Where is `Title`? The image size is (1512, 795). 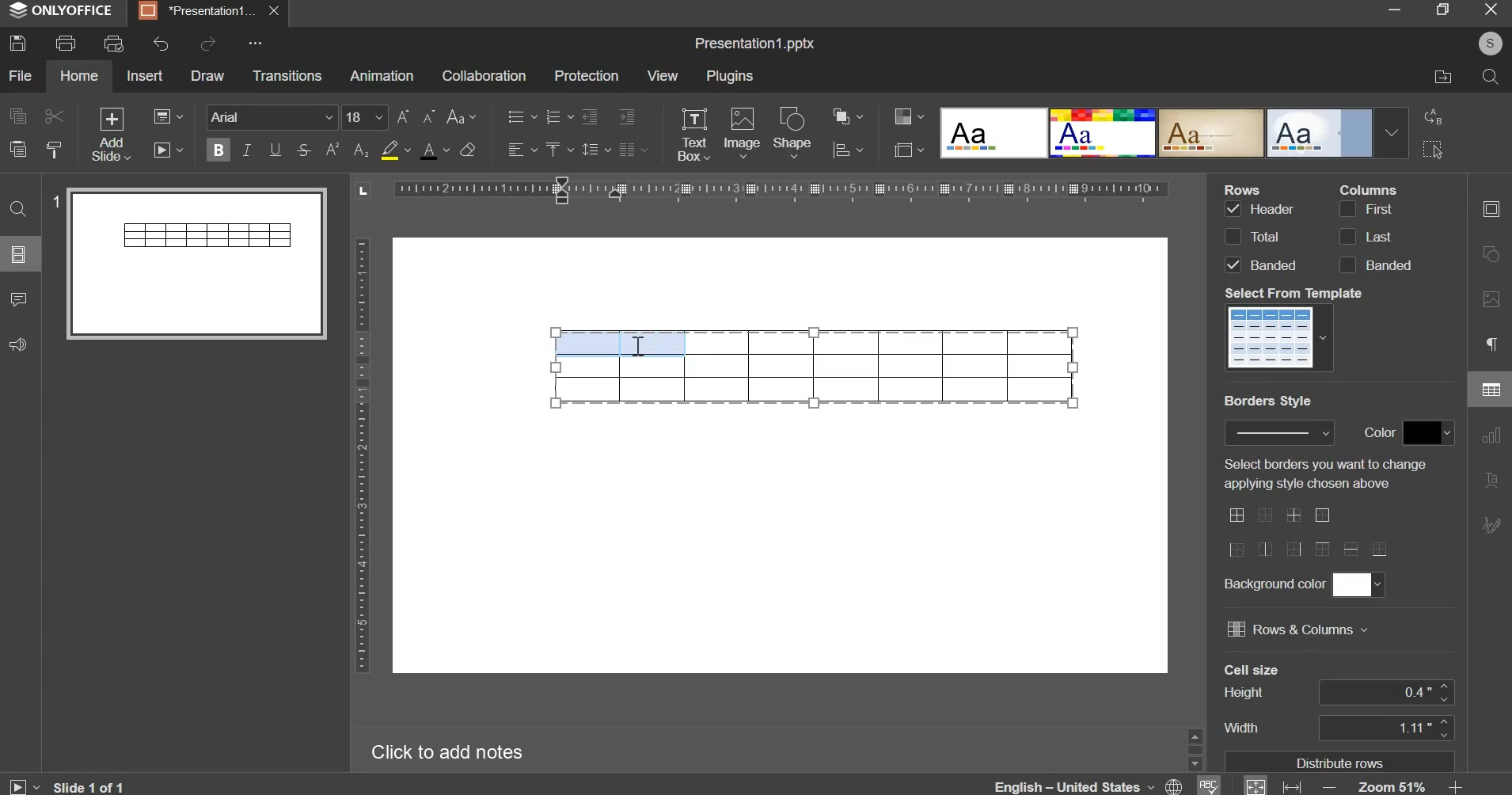 Title is located at coordinates (754, 44).